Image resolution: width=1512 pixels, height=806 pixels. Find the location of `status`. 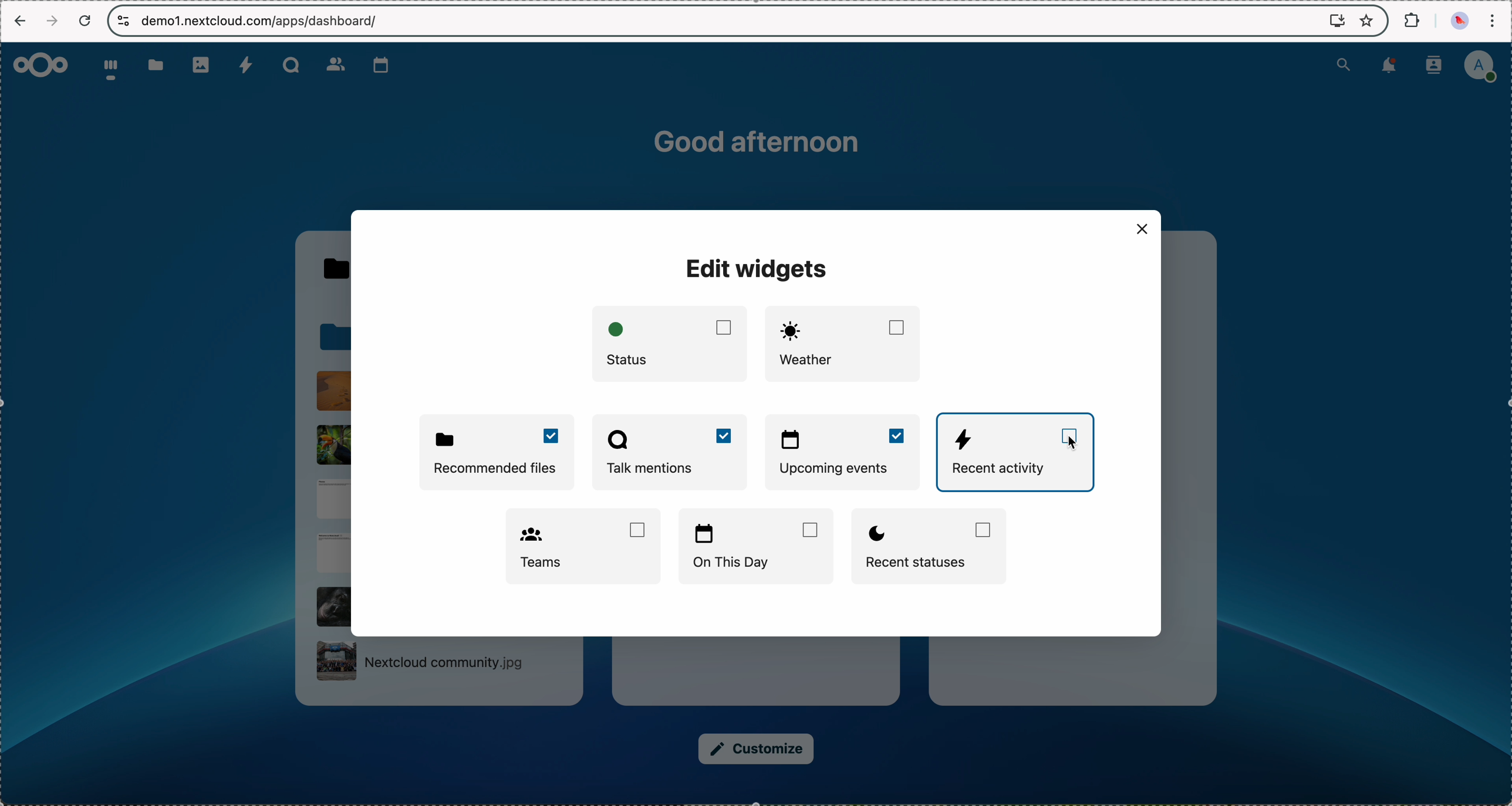

status is located at coordinates (673, 343).